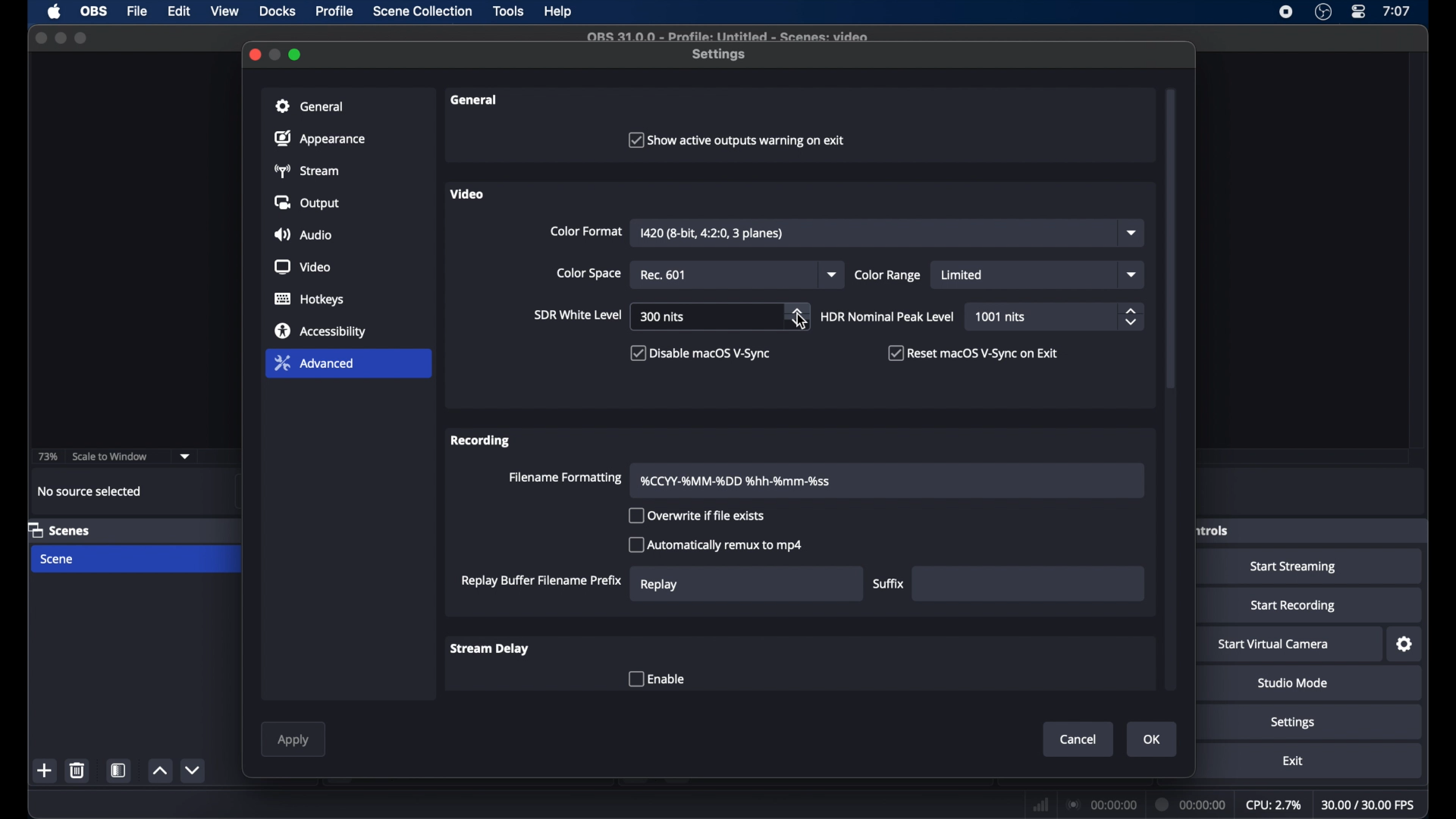 The width and height of the screenshot is (1456, 819). I want to click on close, so click(253, 55).